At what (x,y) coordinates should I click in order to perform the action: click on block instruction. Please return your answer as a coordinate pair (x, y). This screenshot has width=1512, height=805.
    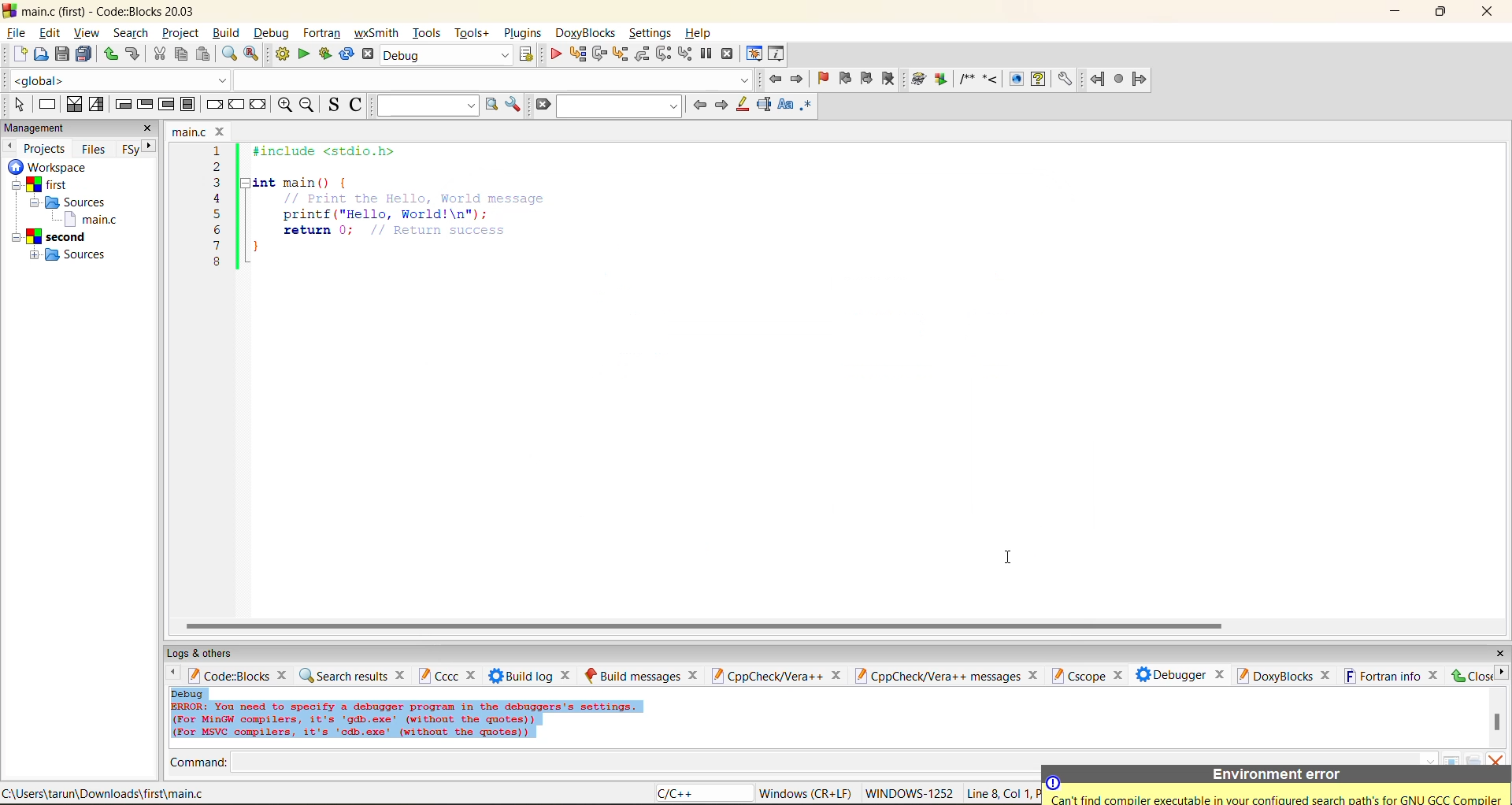
    Looking at the image, I should click on (188, 105).